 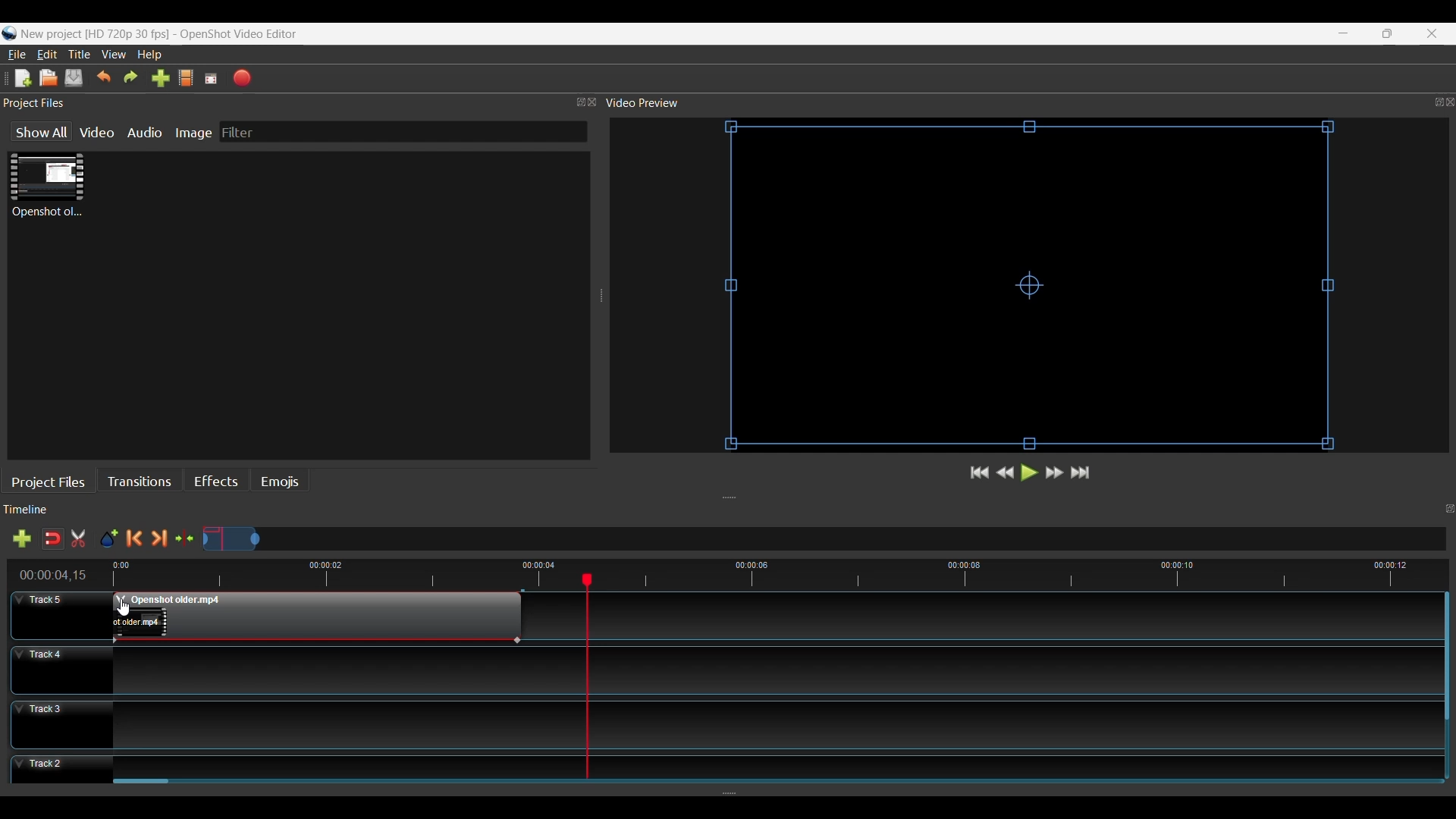 I want to click on minimize, so click(x=1344, y=33).